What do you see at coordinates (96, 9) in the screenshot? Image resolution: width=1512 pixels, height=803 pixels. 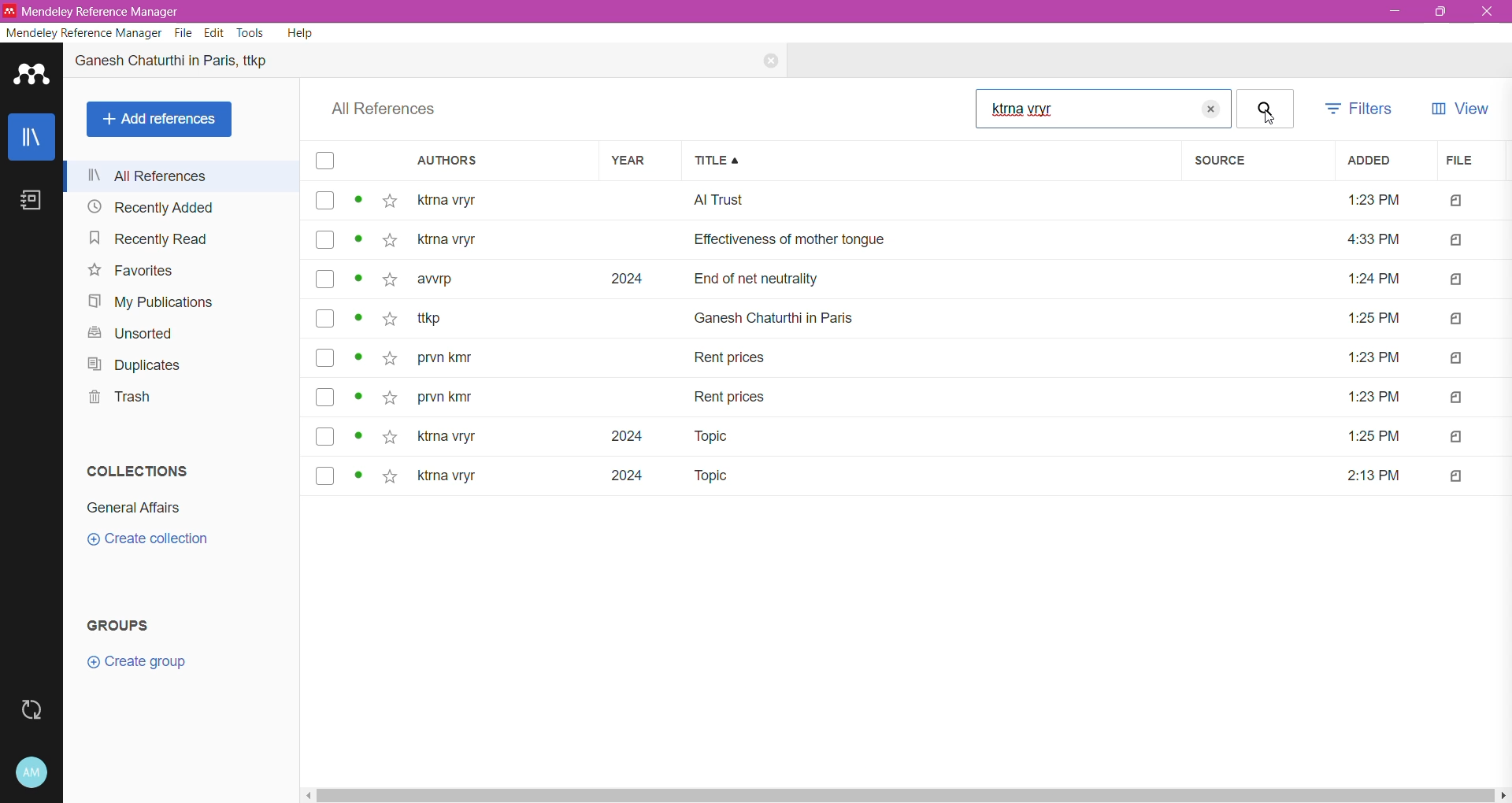 I see `* Mendeley Reference Manager` at bounding box center [96, 9].